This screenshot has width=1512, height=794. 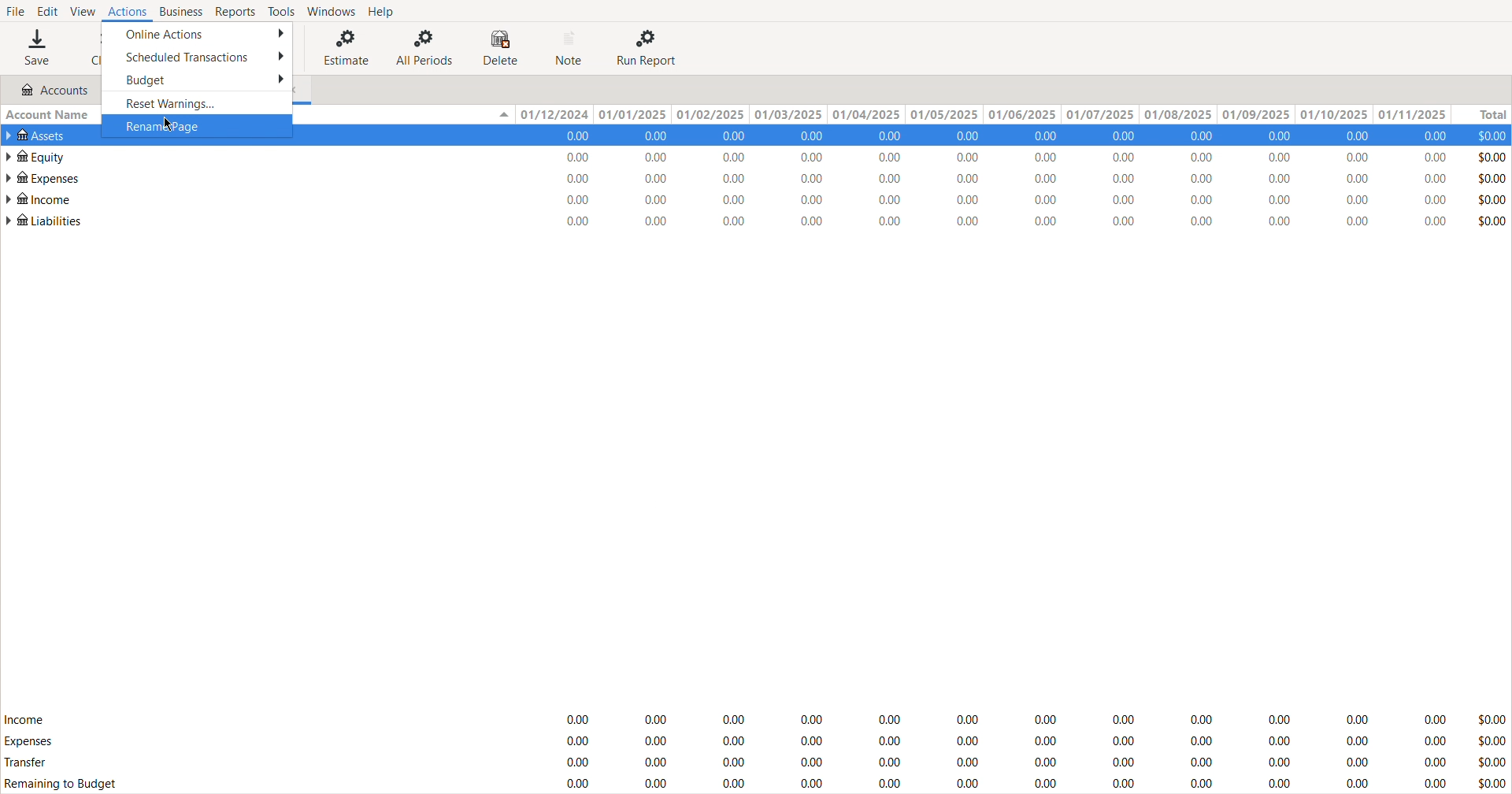 I want to click on Tools, so click(x=280, y=11).